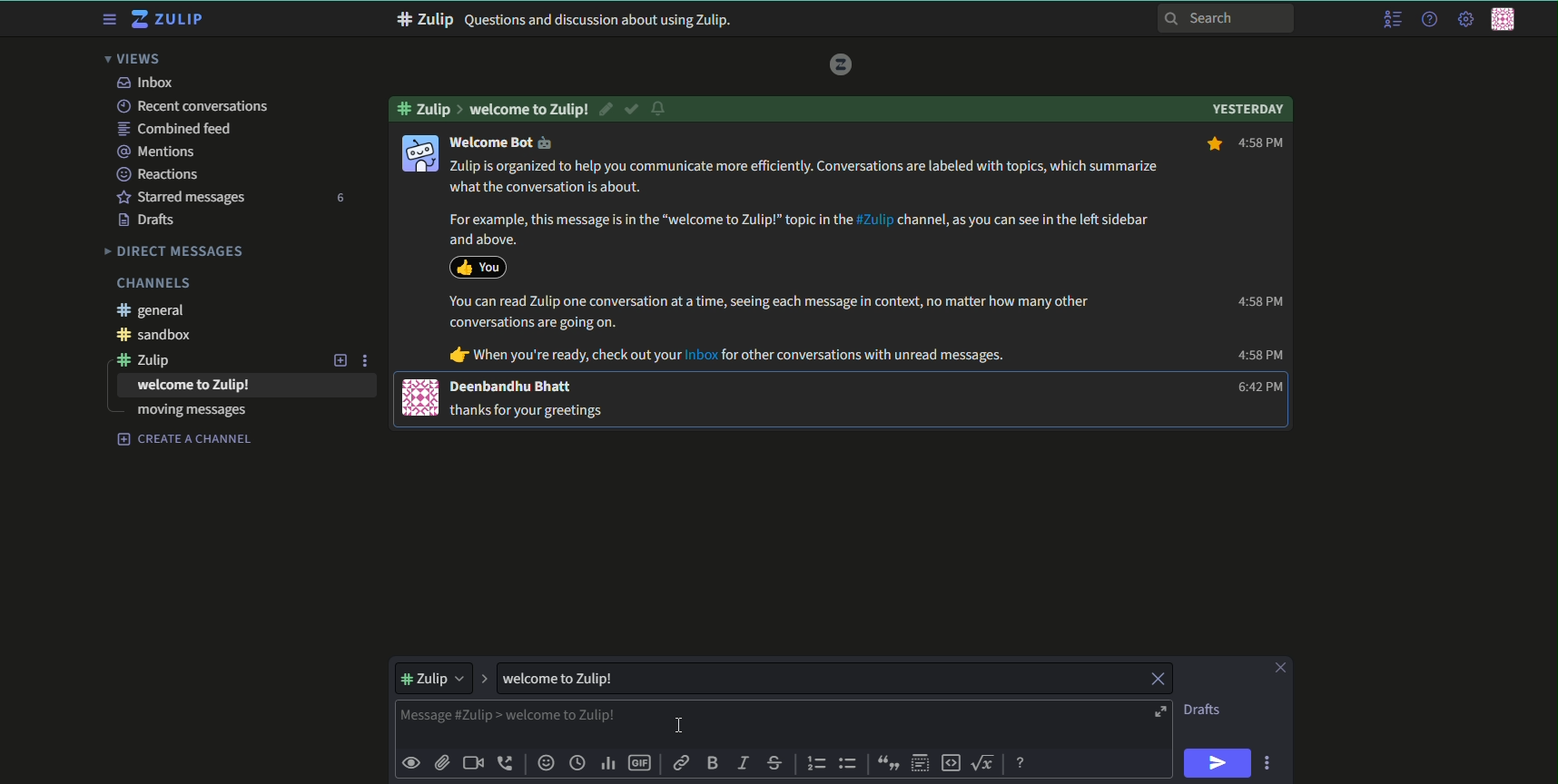 This screenshot has height=784, width=1558. What do you see at coordinates (156, 310) in the screenshot?
I see `#general` at bounding box center [156, 310].